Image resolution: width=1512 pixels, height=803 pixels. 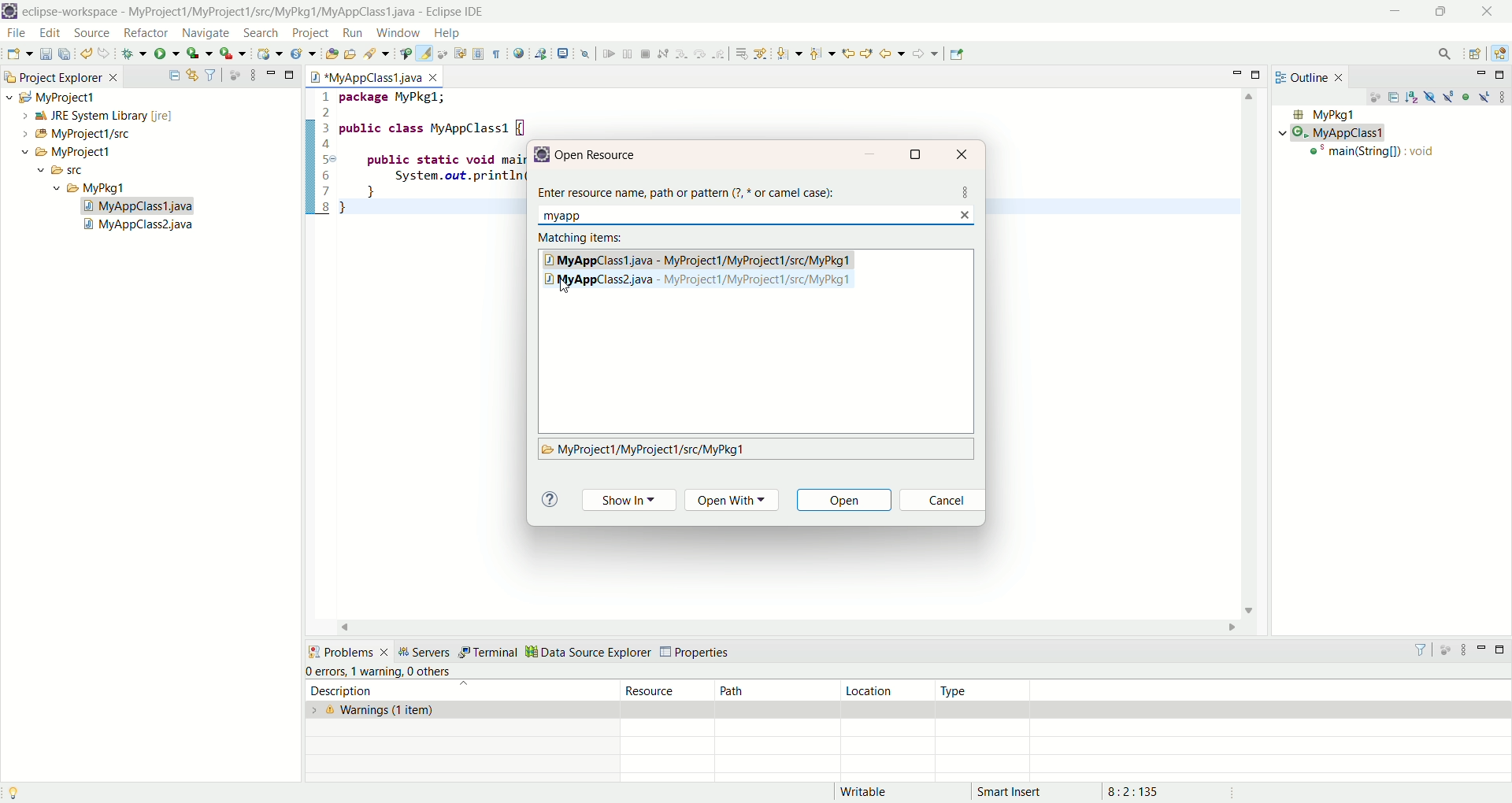 What do you see at coordinates (347, 650) in the screenshot?
I see `problems` at bounding box center [347, 650].